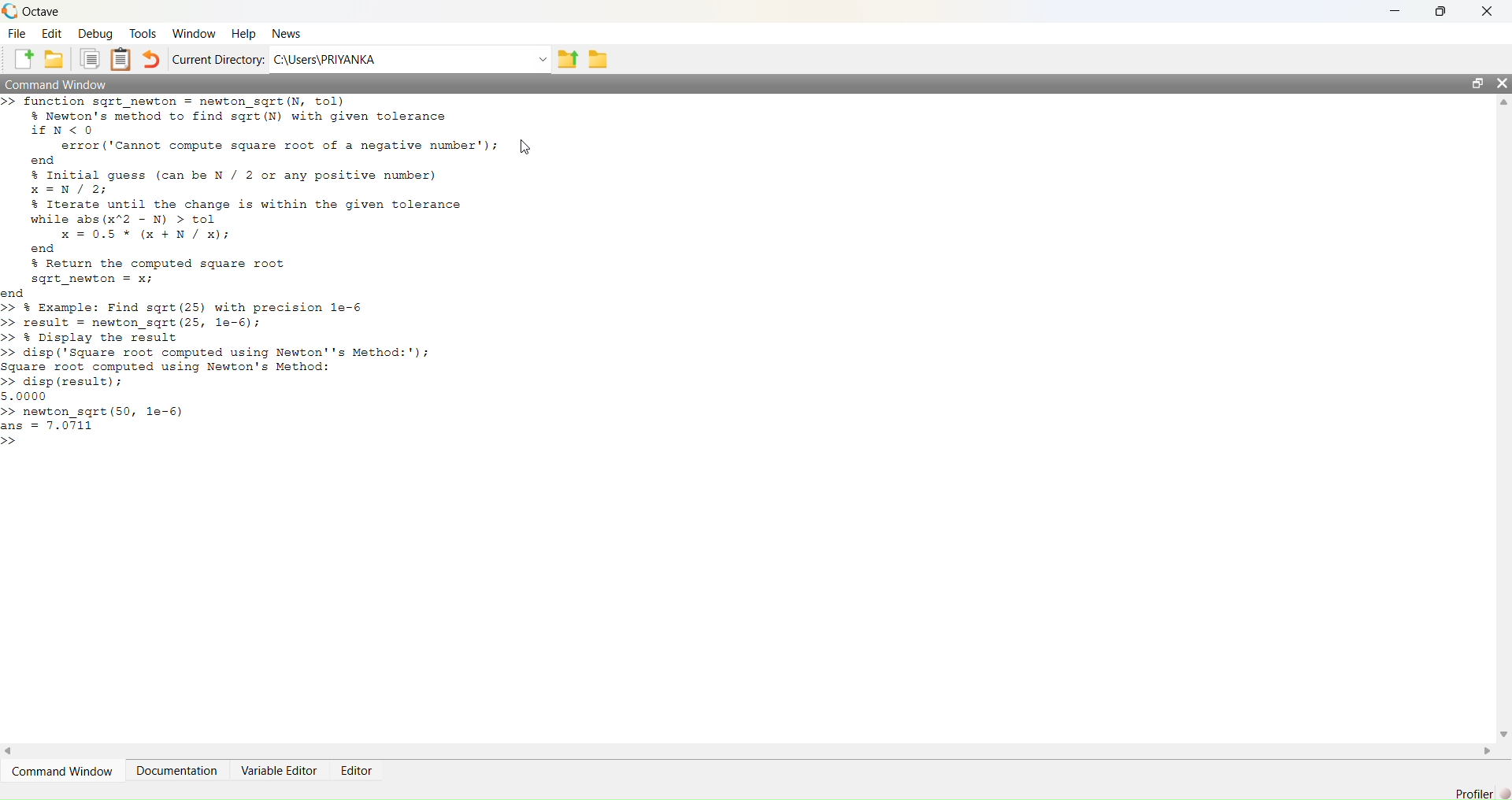  Describe the element at coordinates (13, 747) in the screenshot. I see `Left` at that location.